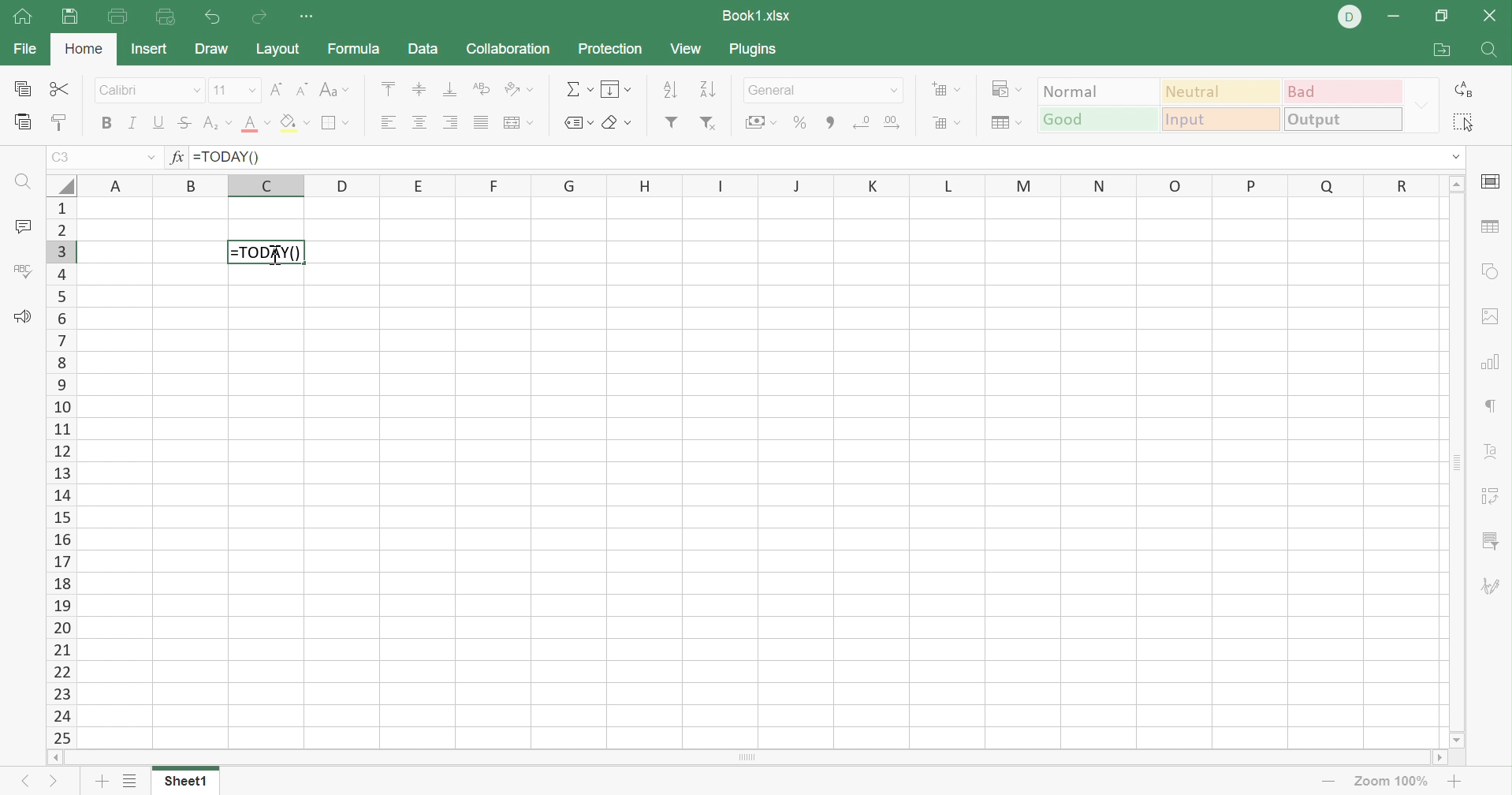 This screenshot has height=795, width=1512. Describe the element at coordinates (299, 88) in the screenshot. I see `Decrement font size` at that location.